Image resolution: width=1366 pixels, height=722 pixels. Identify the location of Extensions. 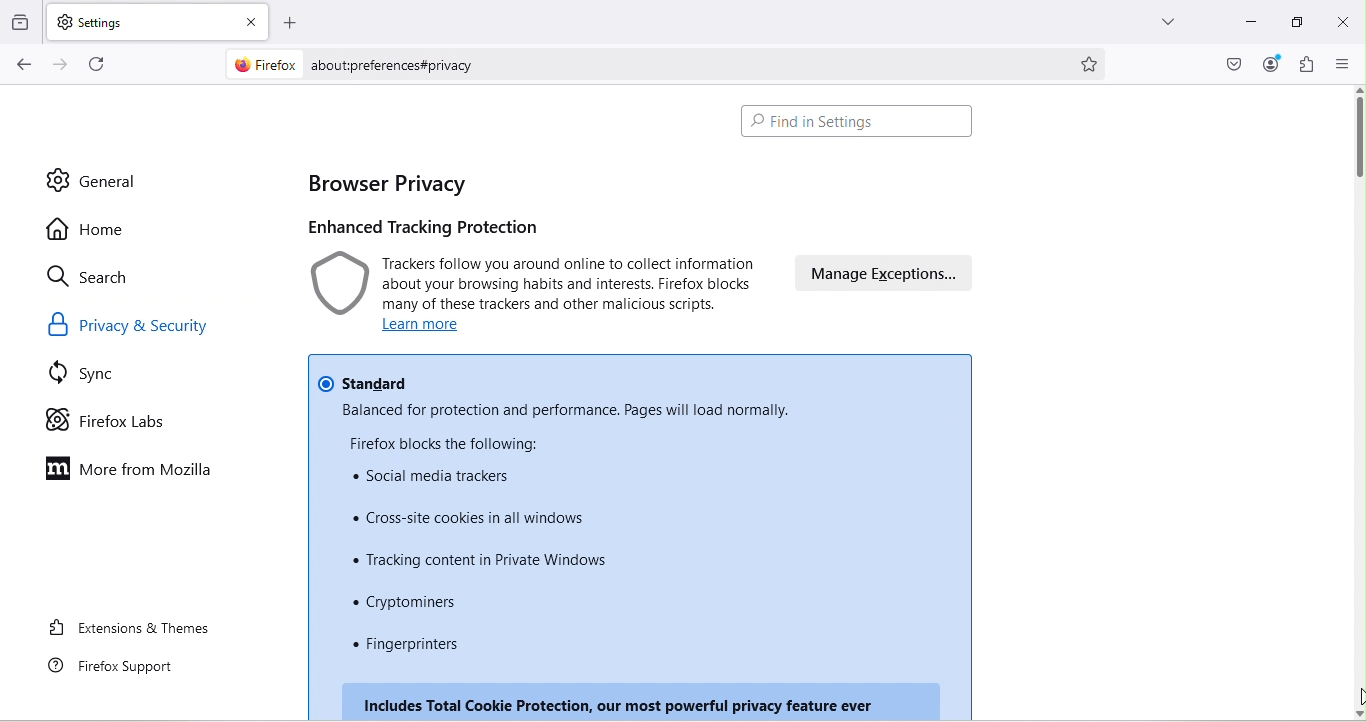
(1306, 65).